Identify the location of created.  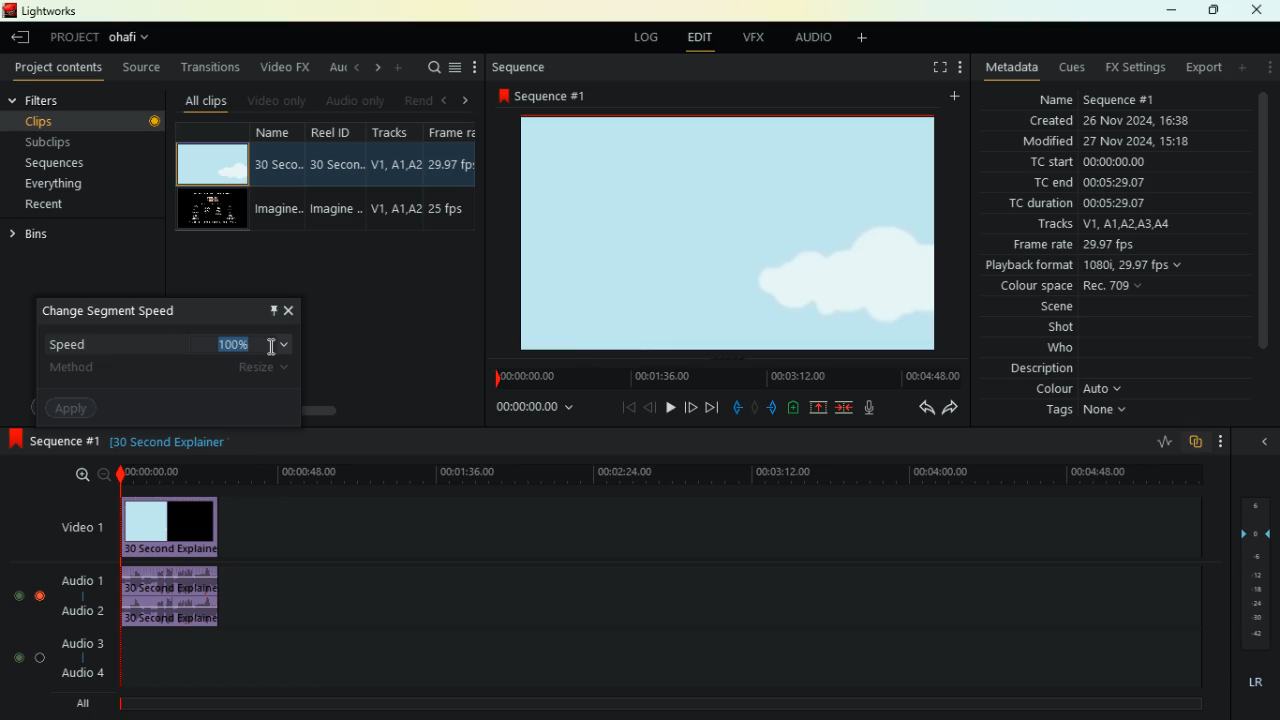
(1111, 120).